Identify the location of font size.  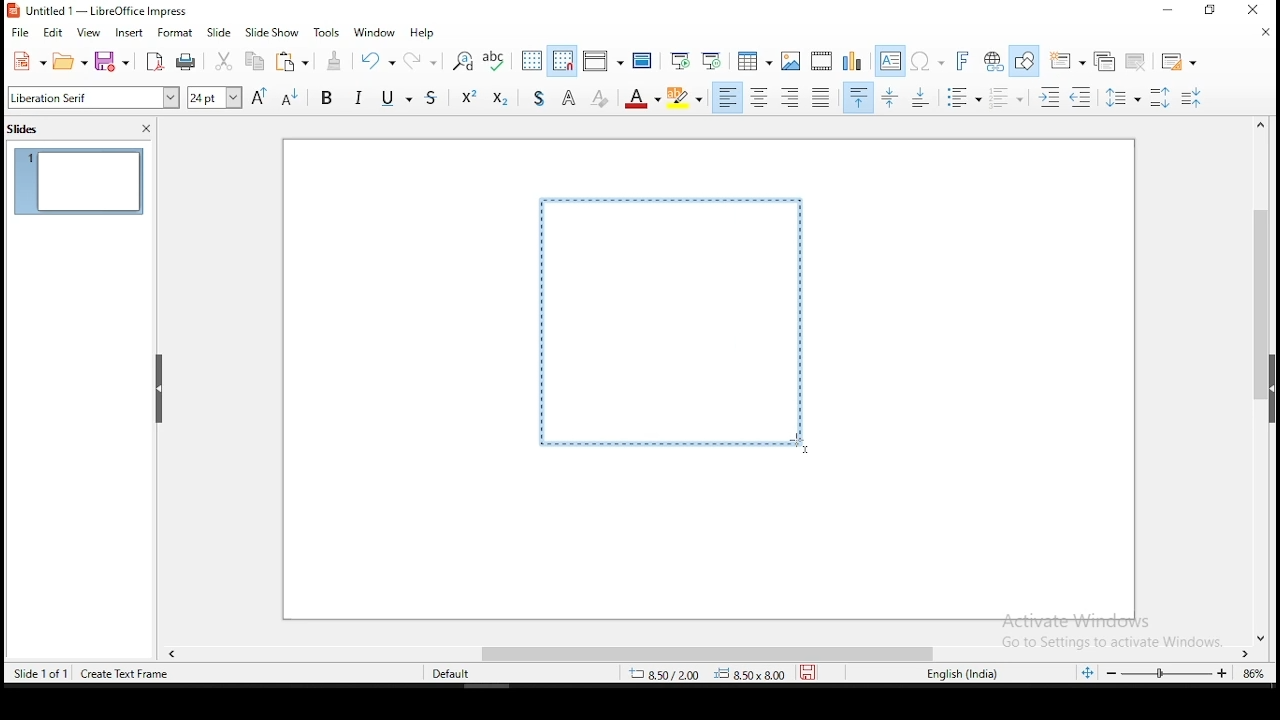
(212, 96).